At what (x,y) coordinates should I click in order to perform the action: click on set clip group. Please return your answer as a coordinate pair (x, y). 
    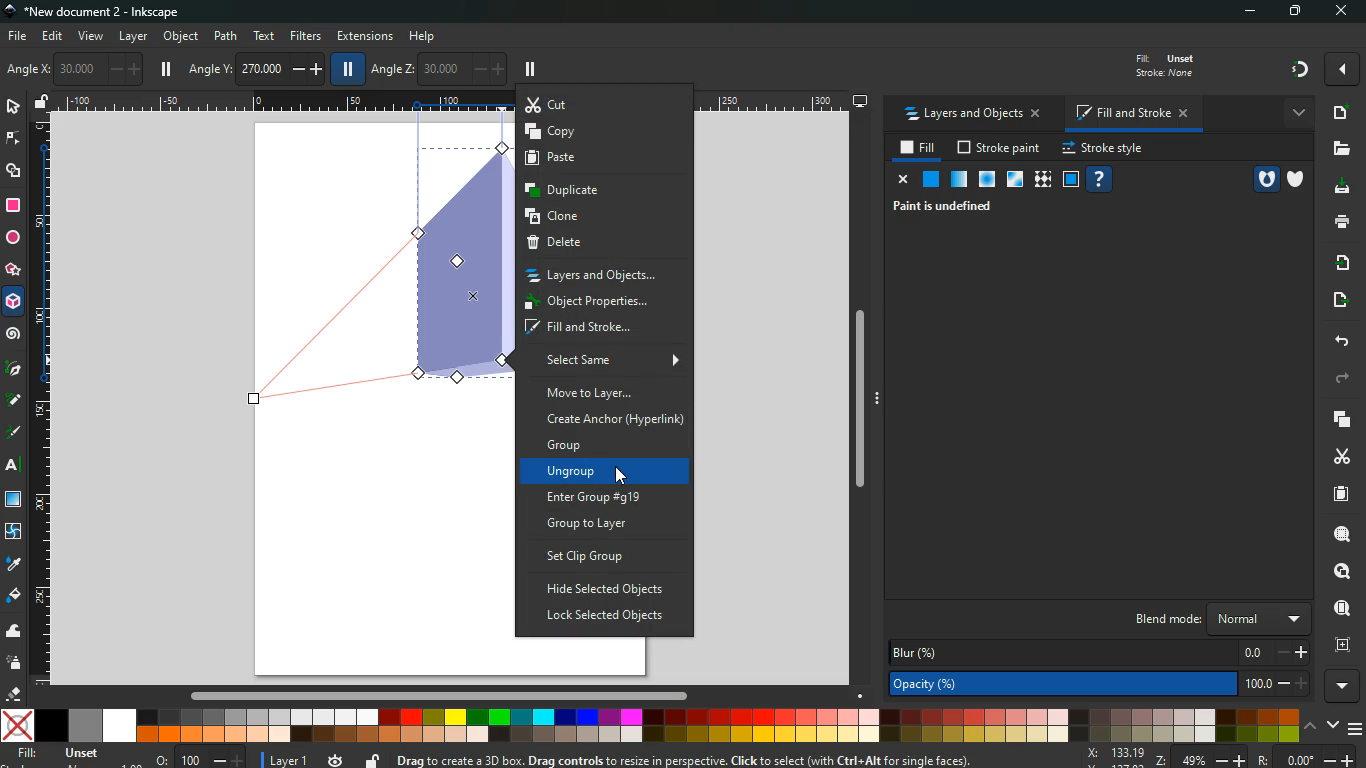
    Looking at the image, I should click on (607, 557).